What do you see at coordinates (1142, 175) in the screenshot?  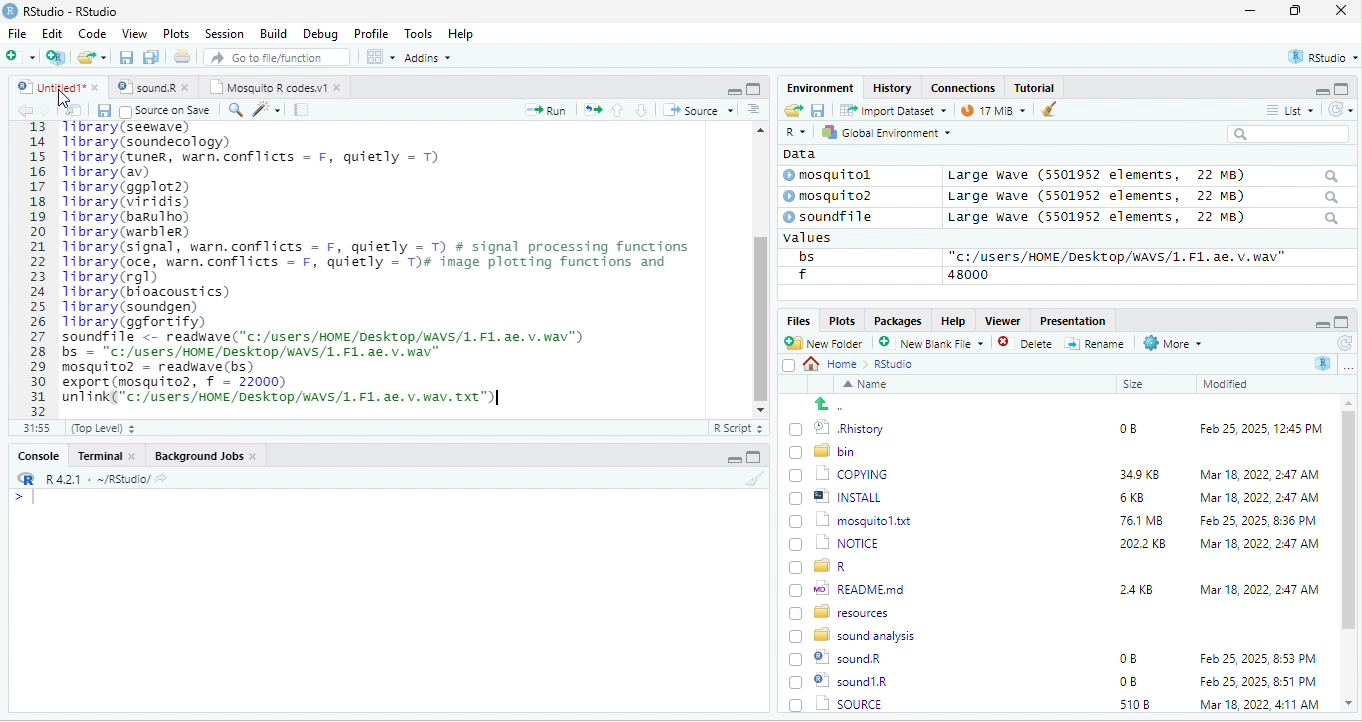 I see `Large wave (5501952 elements, 22 MB)` at bounding box center [1142, 175].